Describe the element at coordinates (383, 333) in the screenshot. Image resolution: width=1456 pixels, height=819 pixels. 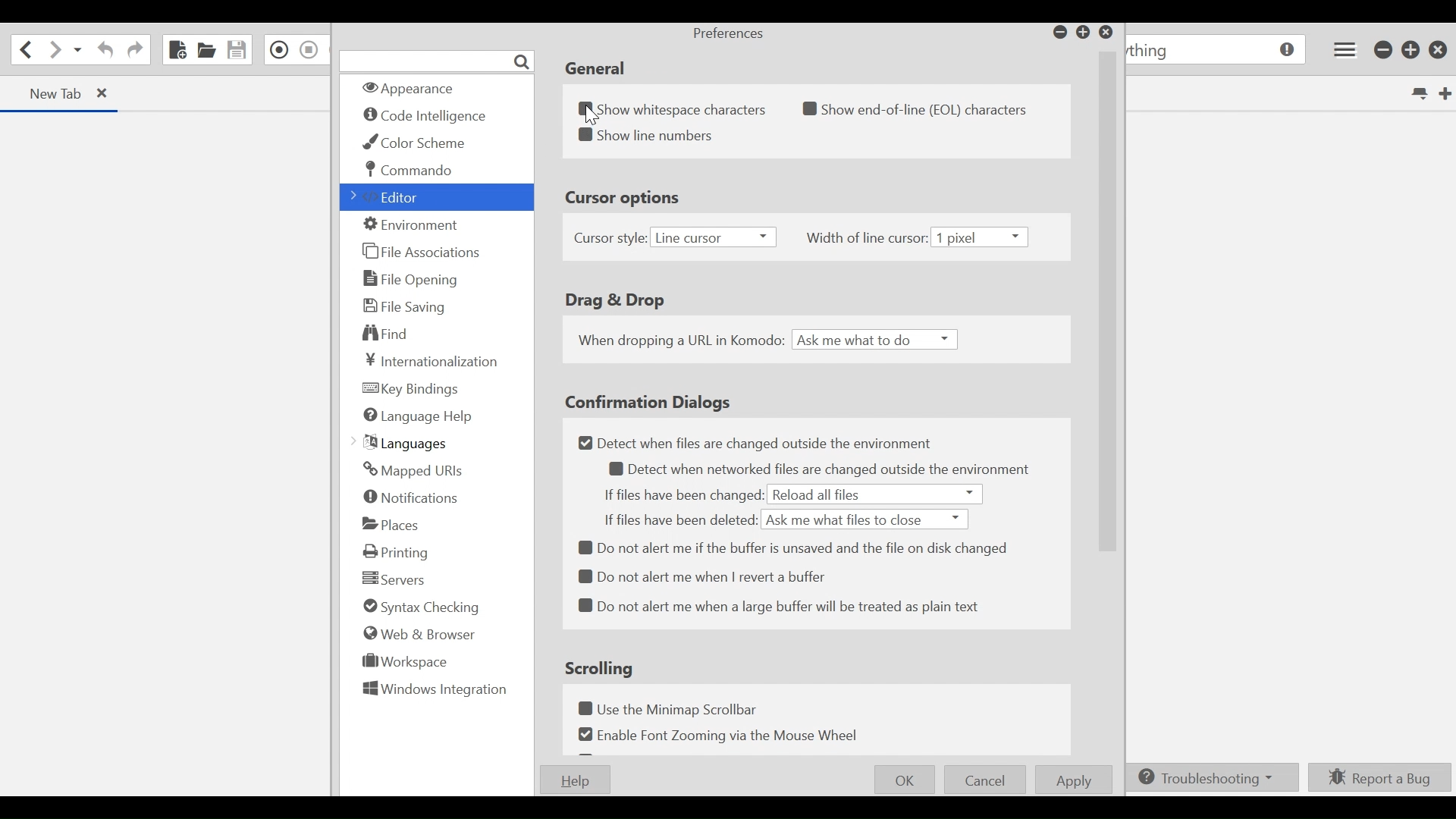
I see `Find` at that location.